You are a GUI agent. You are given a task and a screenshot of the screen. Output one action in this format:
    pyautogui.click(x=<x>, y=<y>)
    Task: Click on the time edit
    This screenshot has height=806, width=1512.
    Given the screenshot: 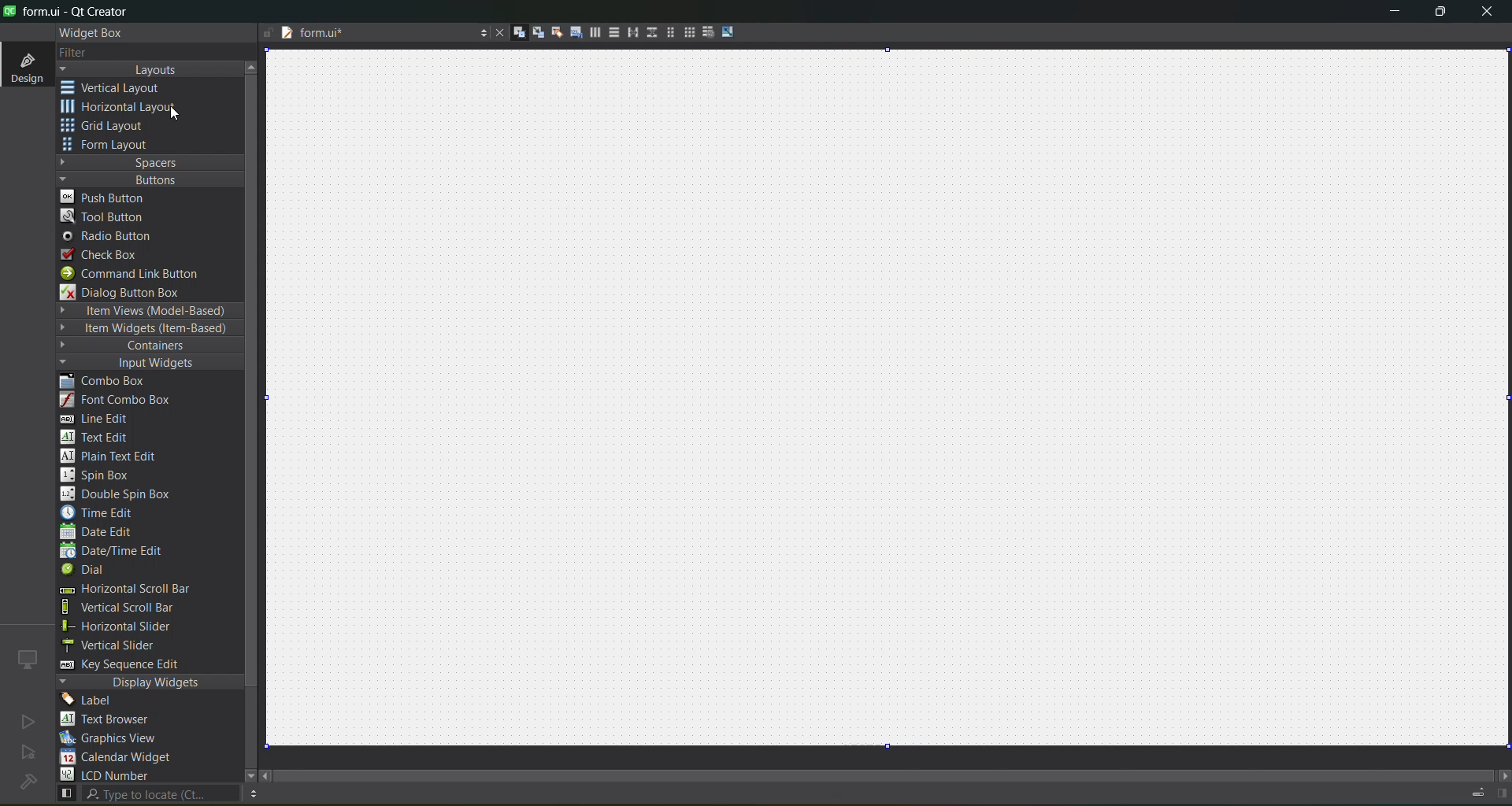 What is the action you would take?
    pyautogui.click(x=102, y=512)
    